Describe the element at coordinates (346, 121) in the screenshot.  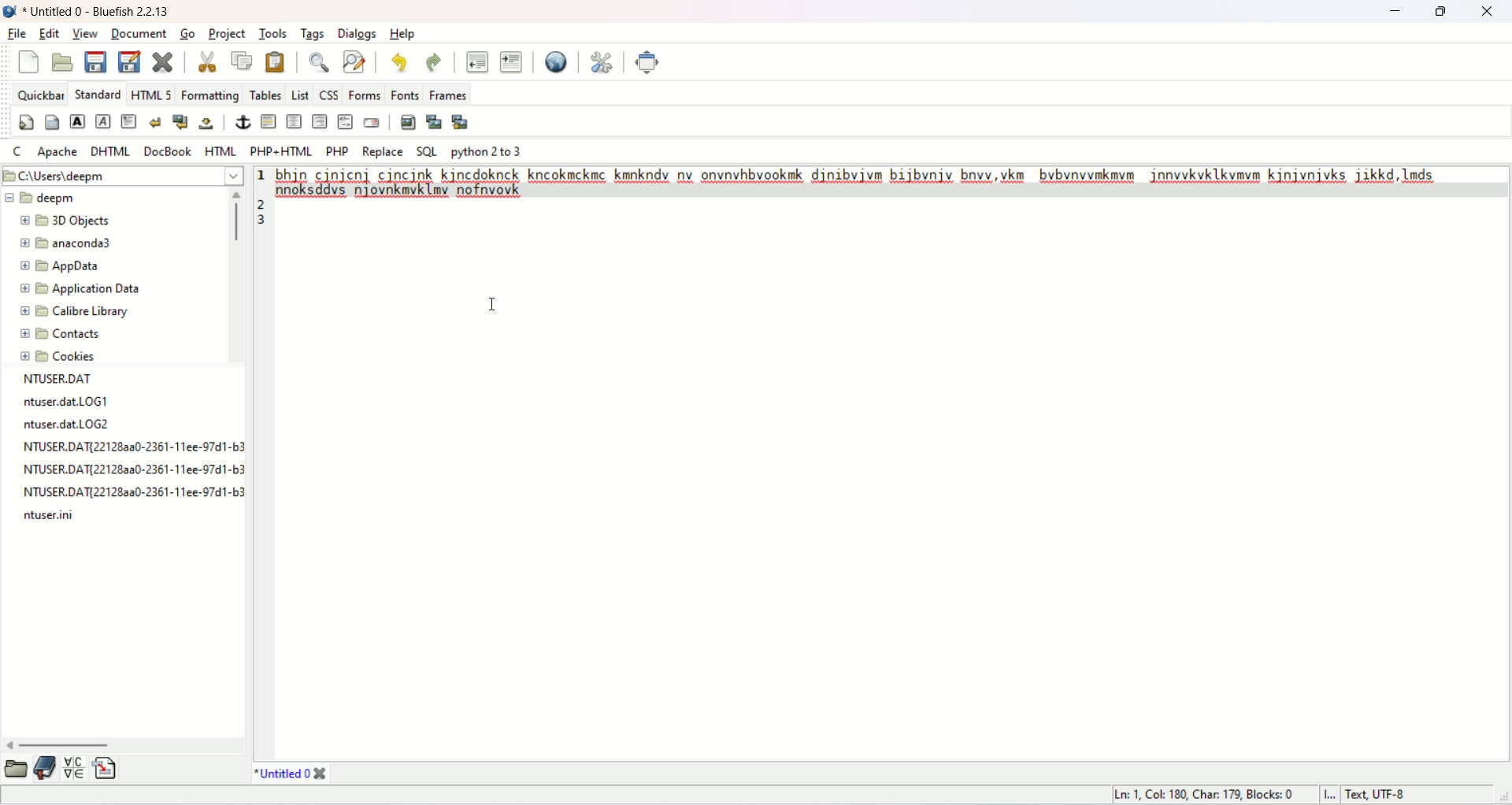
I see `HTML comment` at that location.